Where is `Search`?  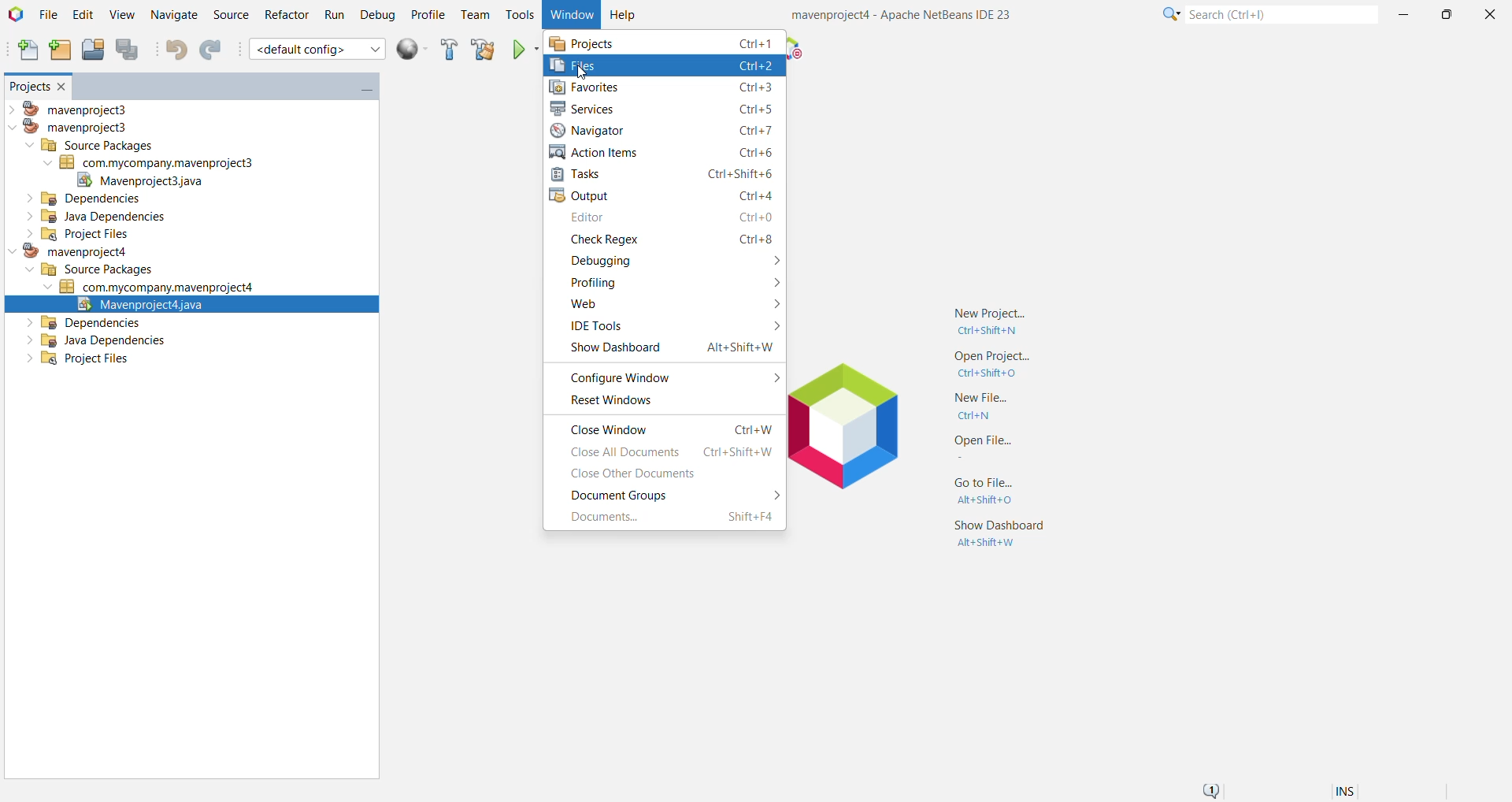
Search is located at coordinates (1280, 16).